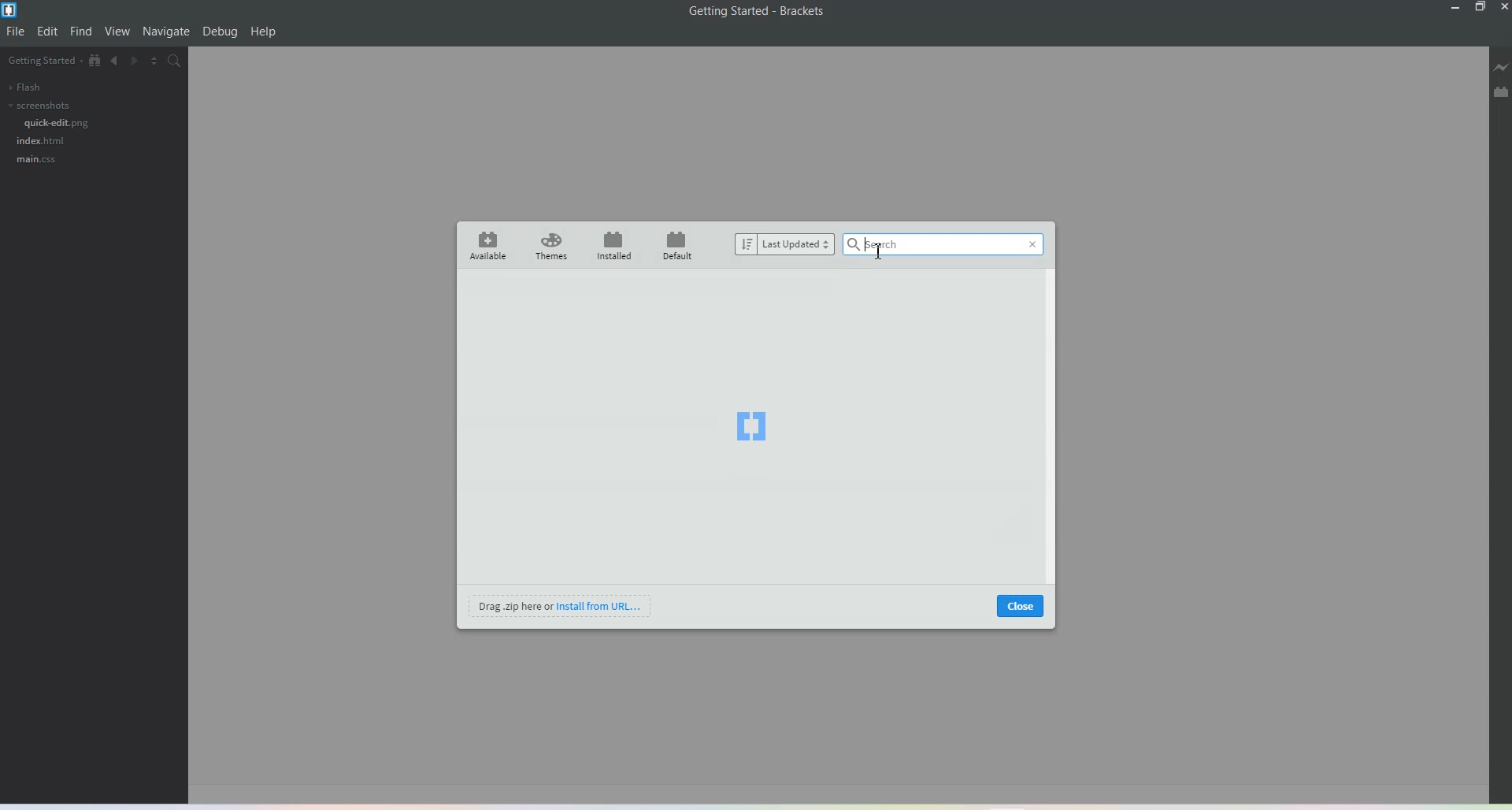 This screenshot has width=1512, height=810. What do you see at coordinates (879, 251) in the screenshot?
I see `Text Cursor` at bounding box center [879, 251].